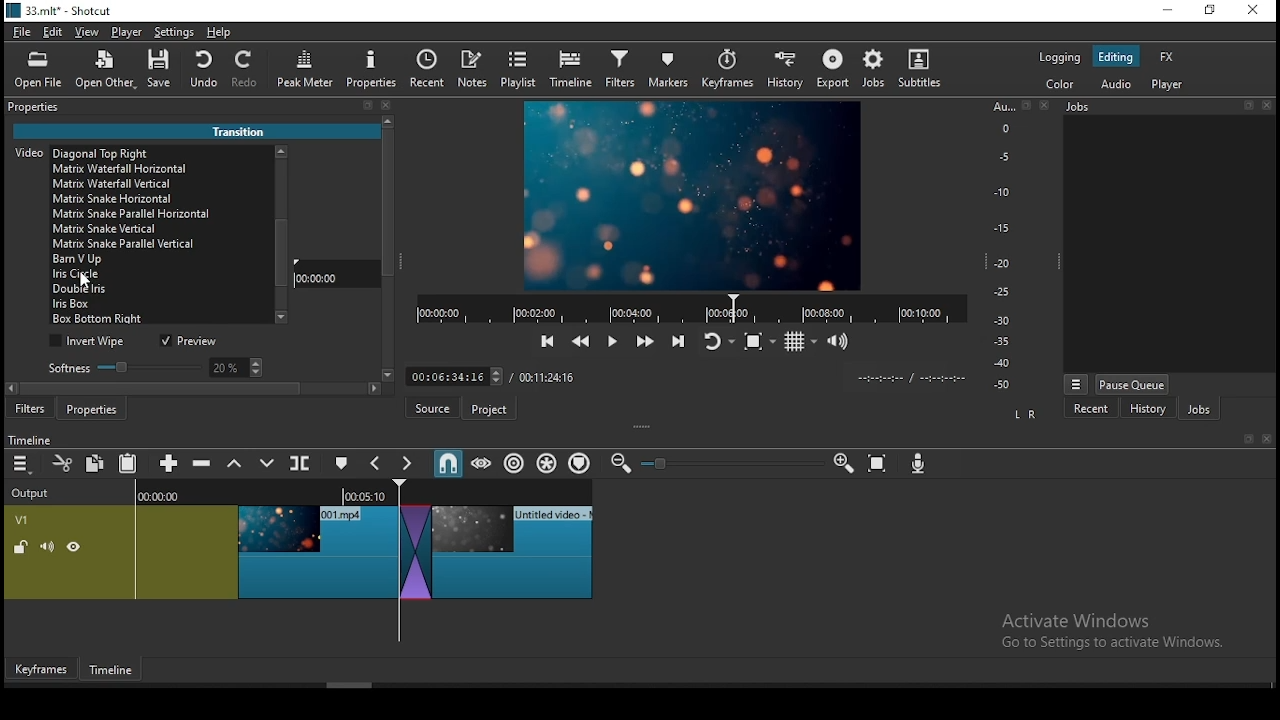 The image size is (1280, 720). What do you see at coordinates (548, 462) in the screenshot?
I see `ripple all tracks` at bounding box center [548, 462].